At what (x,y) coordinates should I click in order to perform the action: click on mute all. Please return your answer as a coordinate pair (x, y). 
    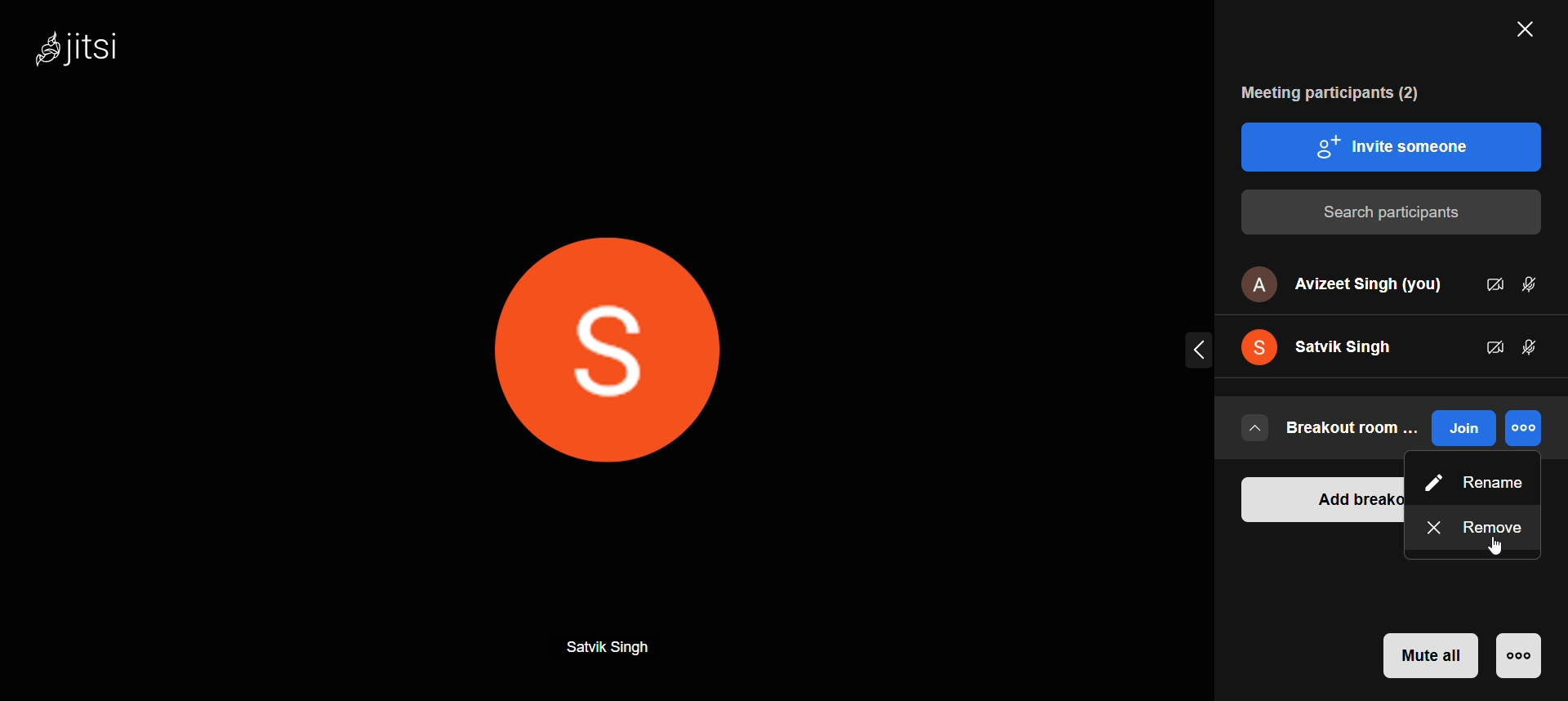
    Looking at the image, I should click on (1432, 655).